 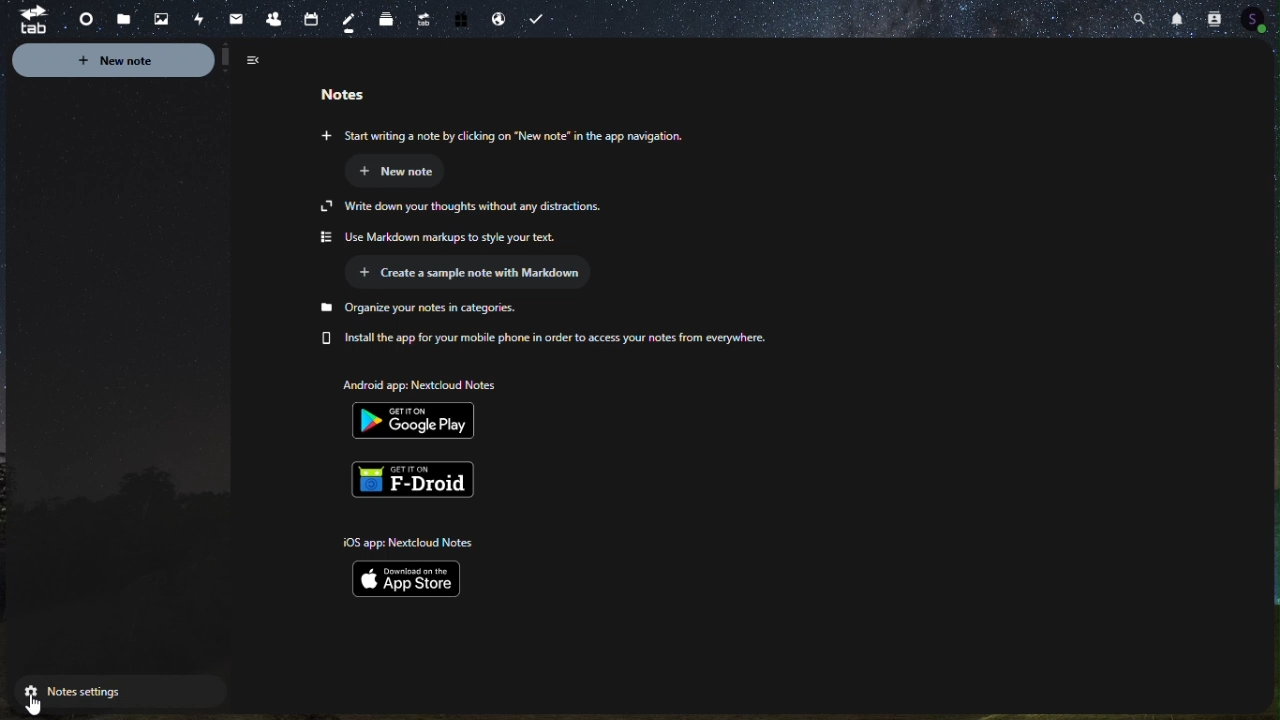 What do you see at coordinates (1219, 15) in the screenshot?
I see `Contacts` at bounding box center [1219, 15].